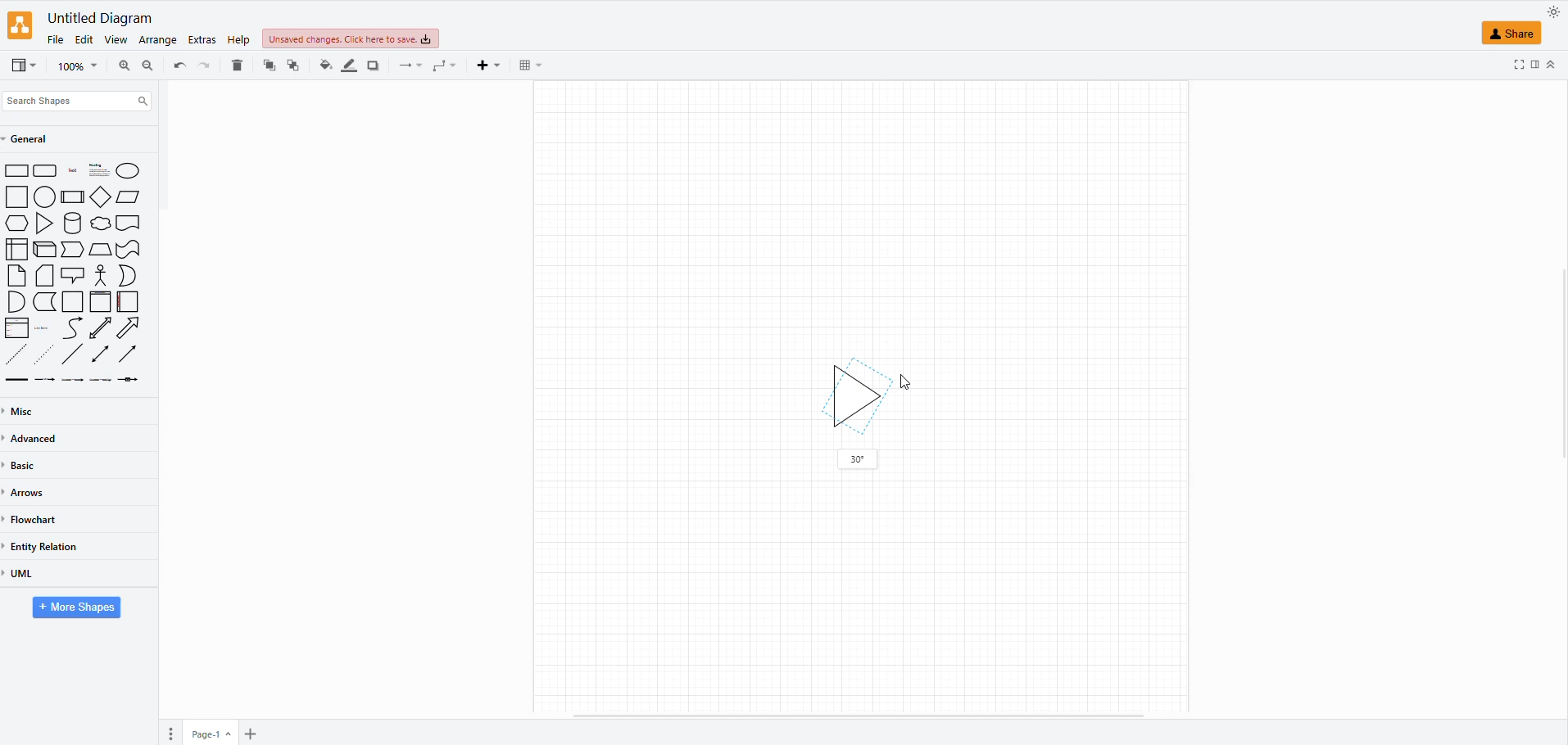 The height and width of the screenshot is (745, 1568). I want to click on waypoints, so click(442, 68).